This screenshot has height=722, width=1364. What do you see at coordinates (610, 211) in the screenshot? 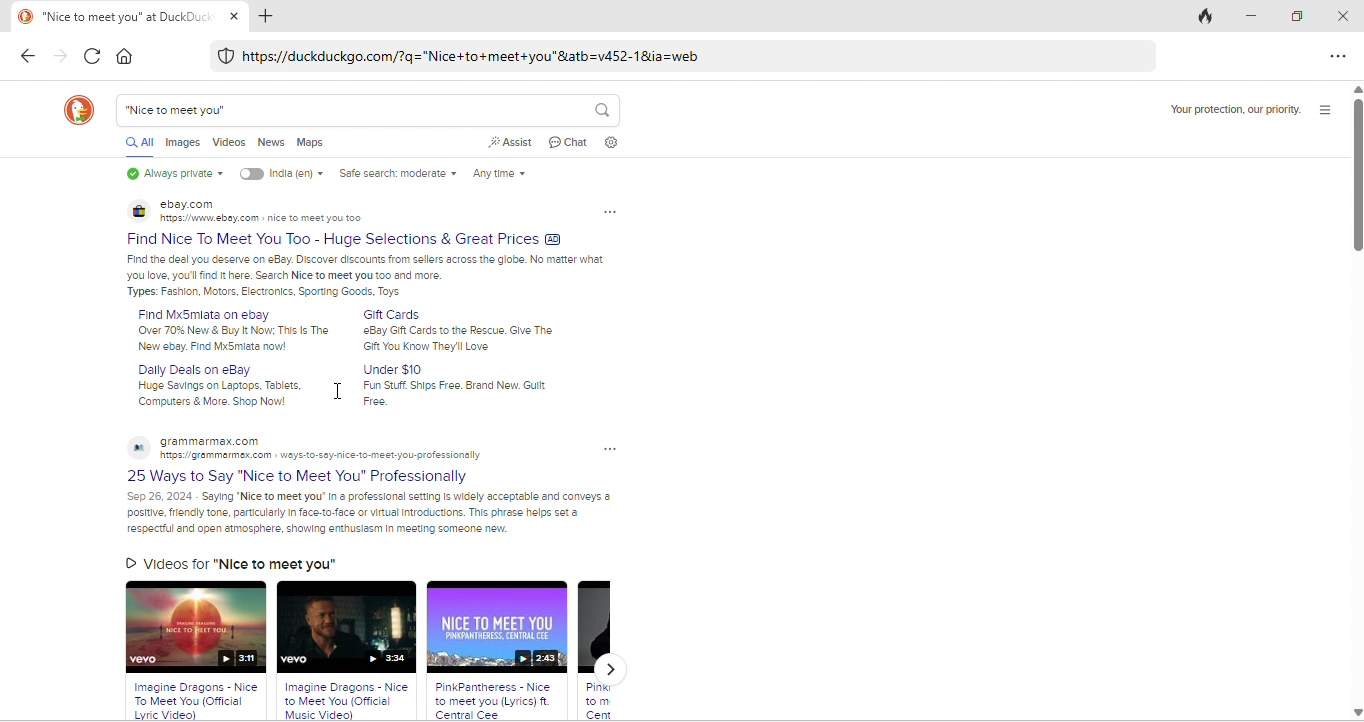
I see `More` at bounding box center [610, 211].